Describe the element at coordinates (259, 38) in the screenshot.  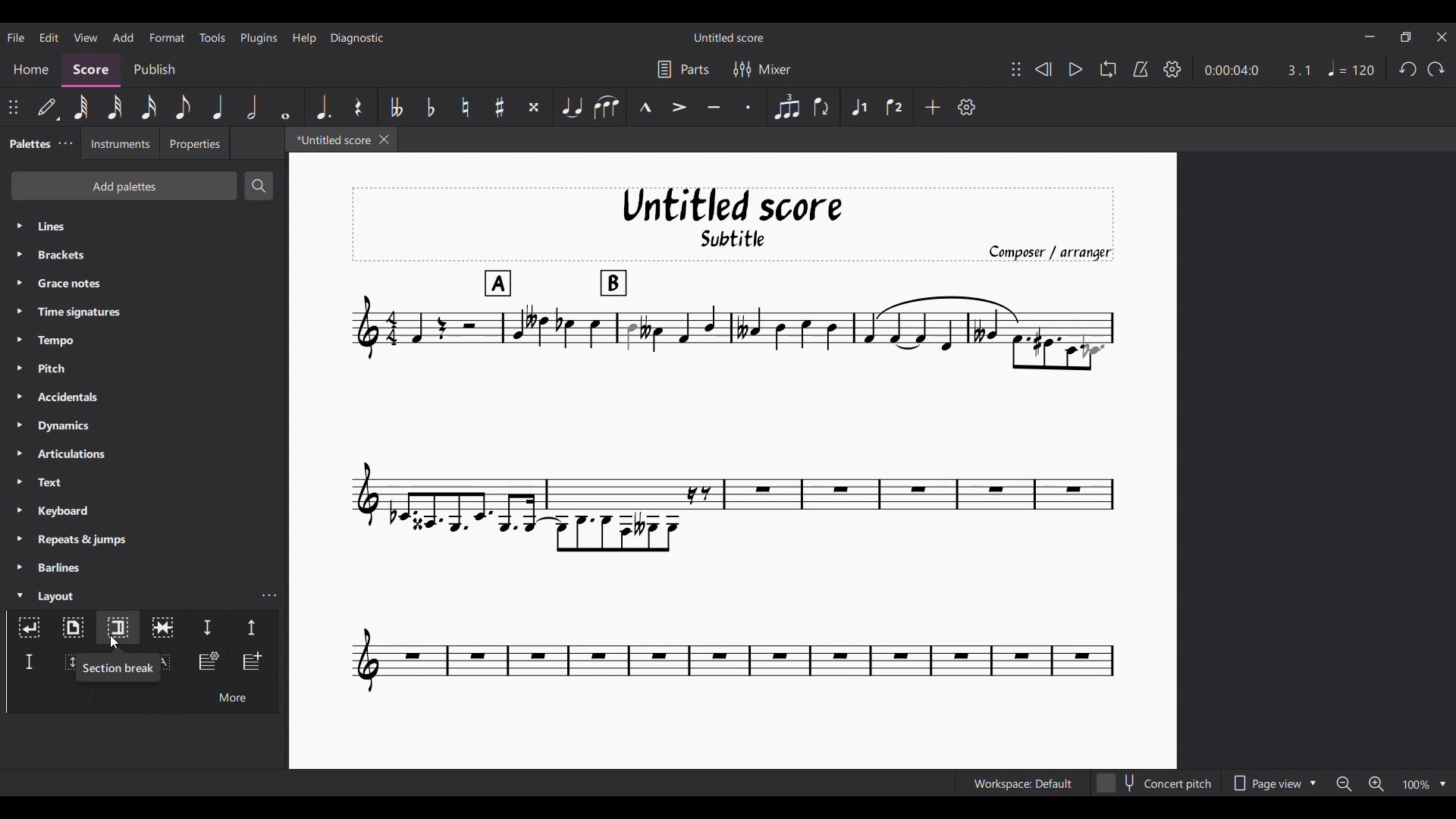
I see `Plugins menu` at that location.